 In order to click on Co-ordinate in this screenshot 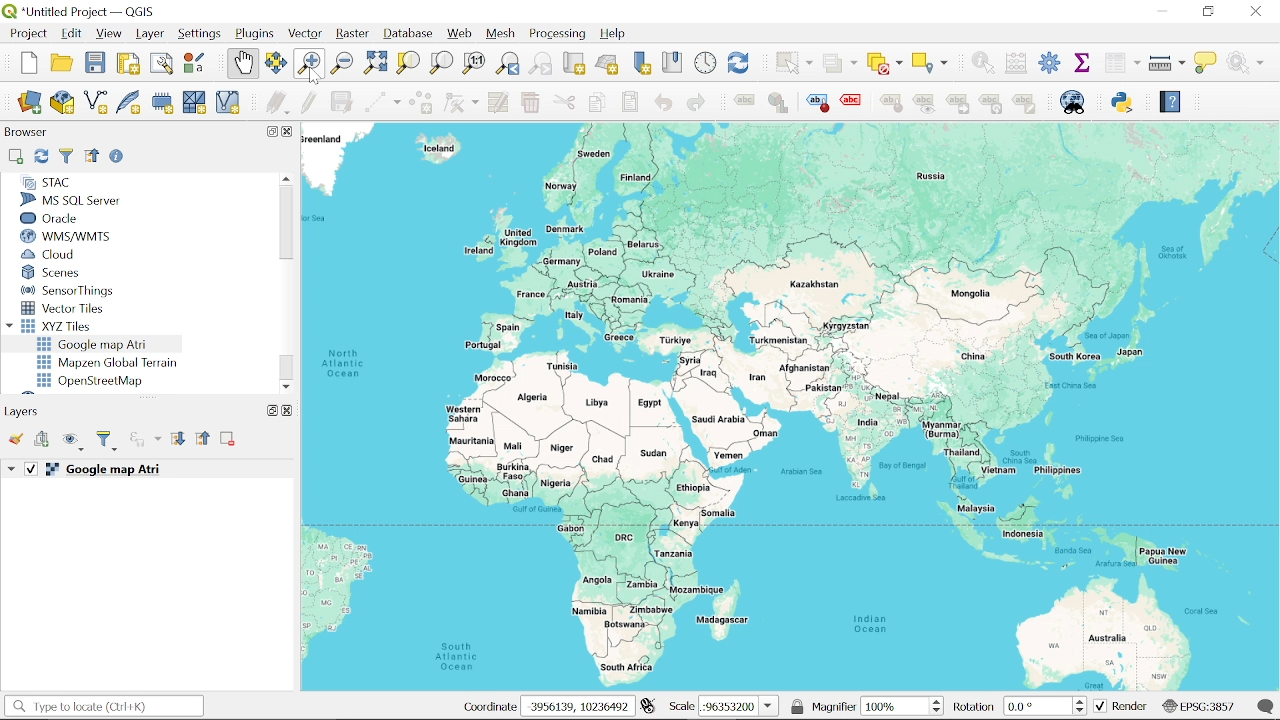, I will do `click(579, 706)`.